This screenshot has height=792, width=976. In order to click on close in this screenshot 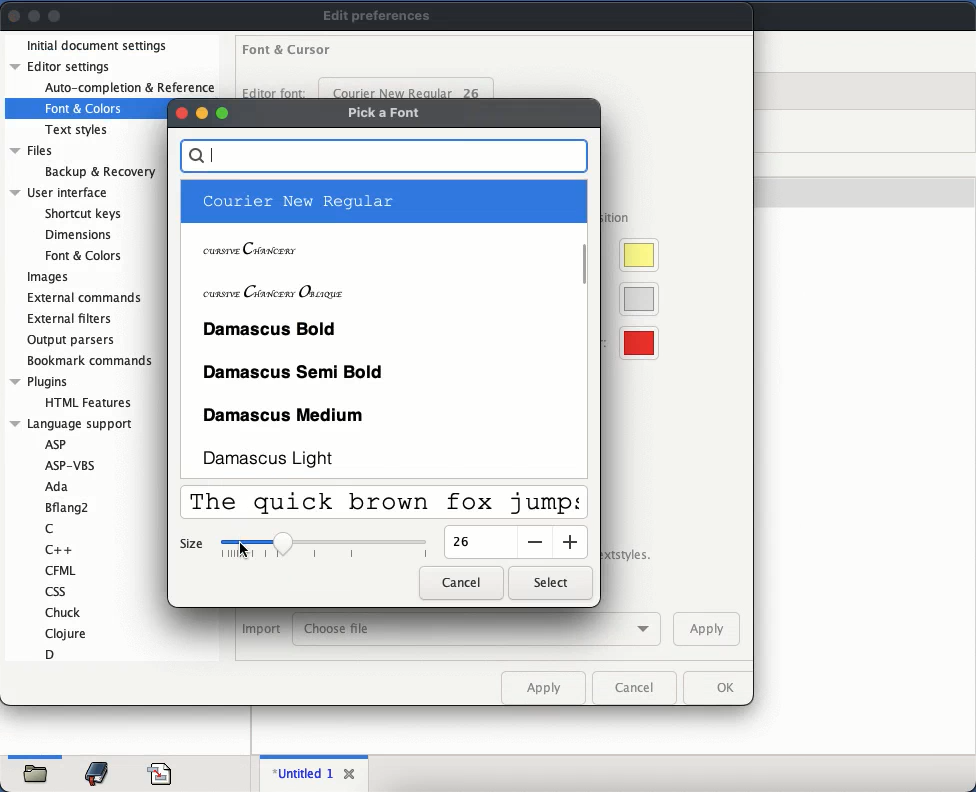, I will do `click(15, 17)`.